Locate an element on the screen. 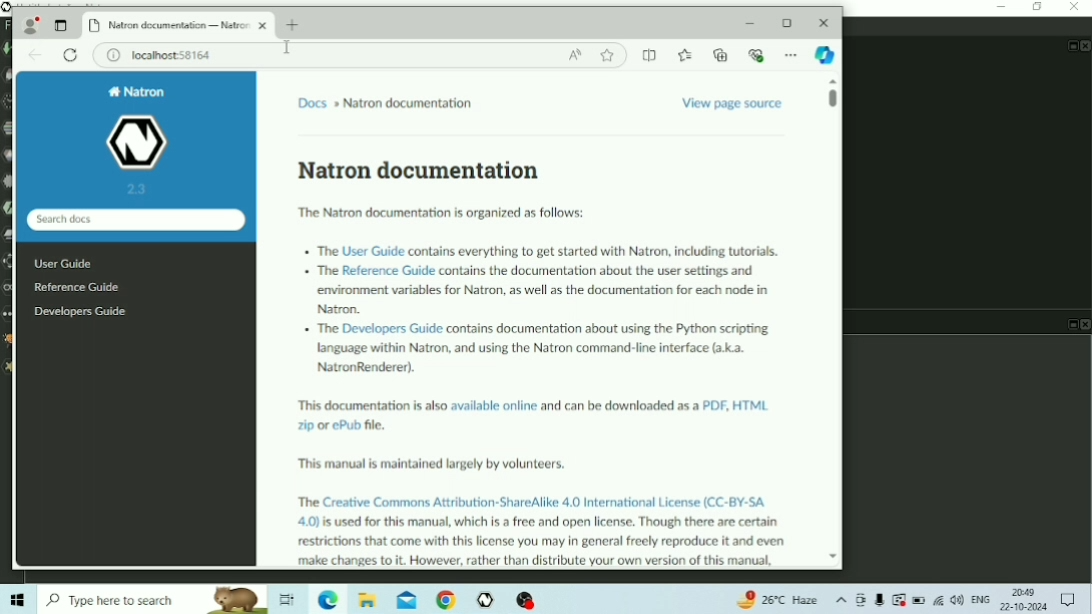 Image resolution: width=1092 pixels, height=614 pixels. Microsoft Edge is located at coordinates (328, 598).